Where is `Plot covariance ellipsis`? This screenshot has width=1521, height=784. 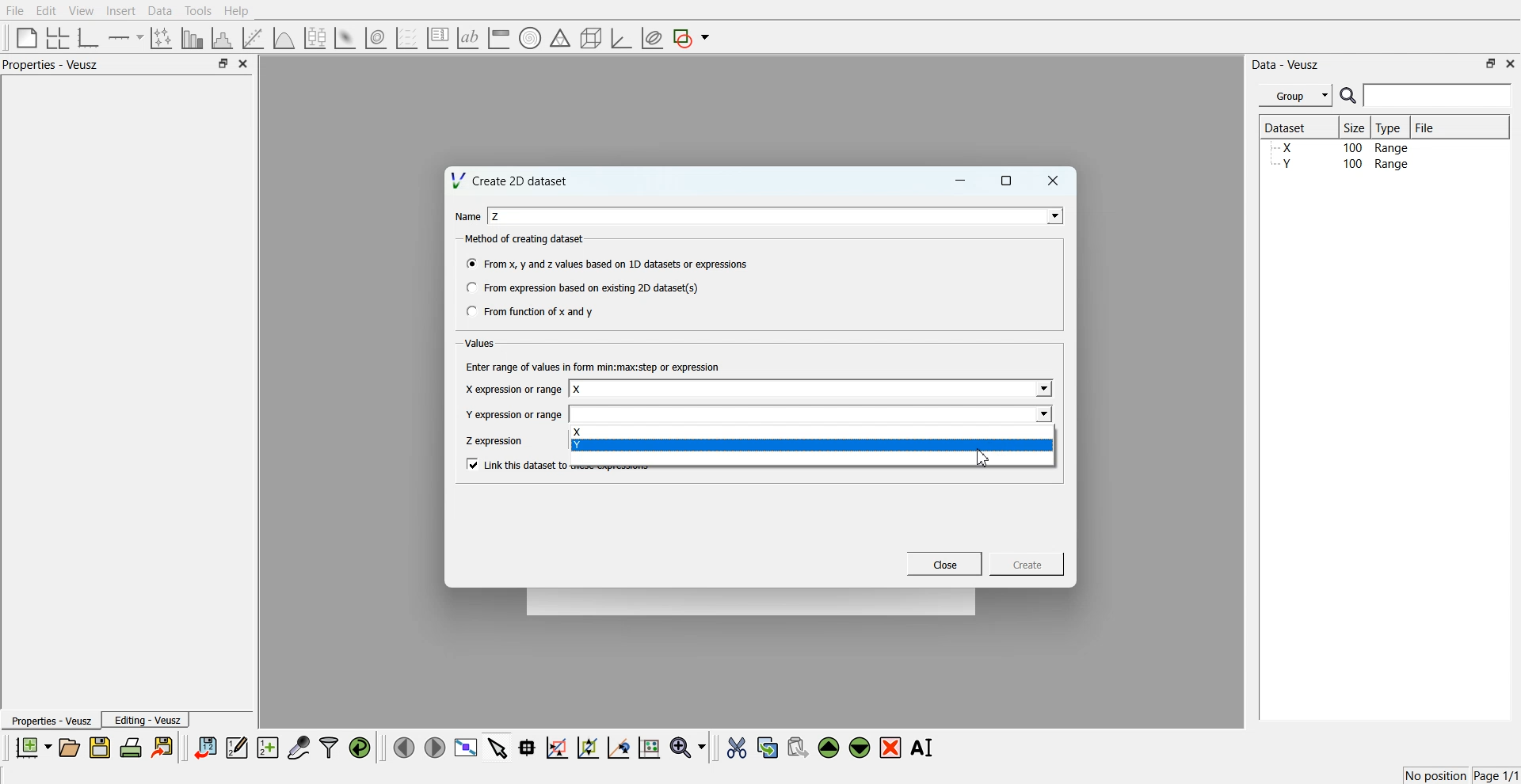
Plot covariance ellipsis is located at coordinates (653, 39).